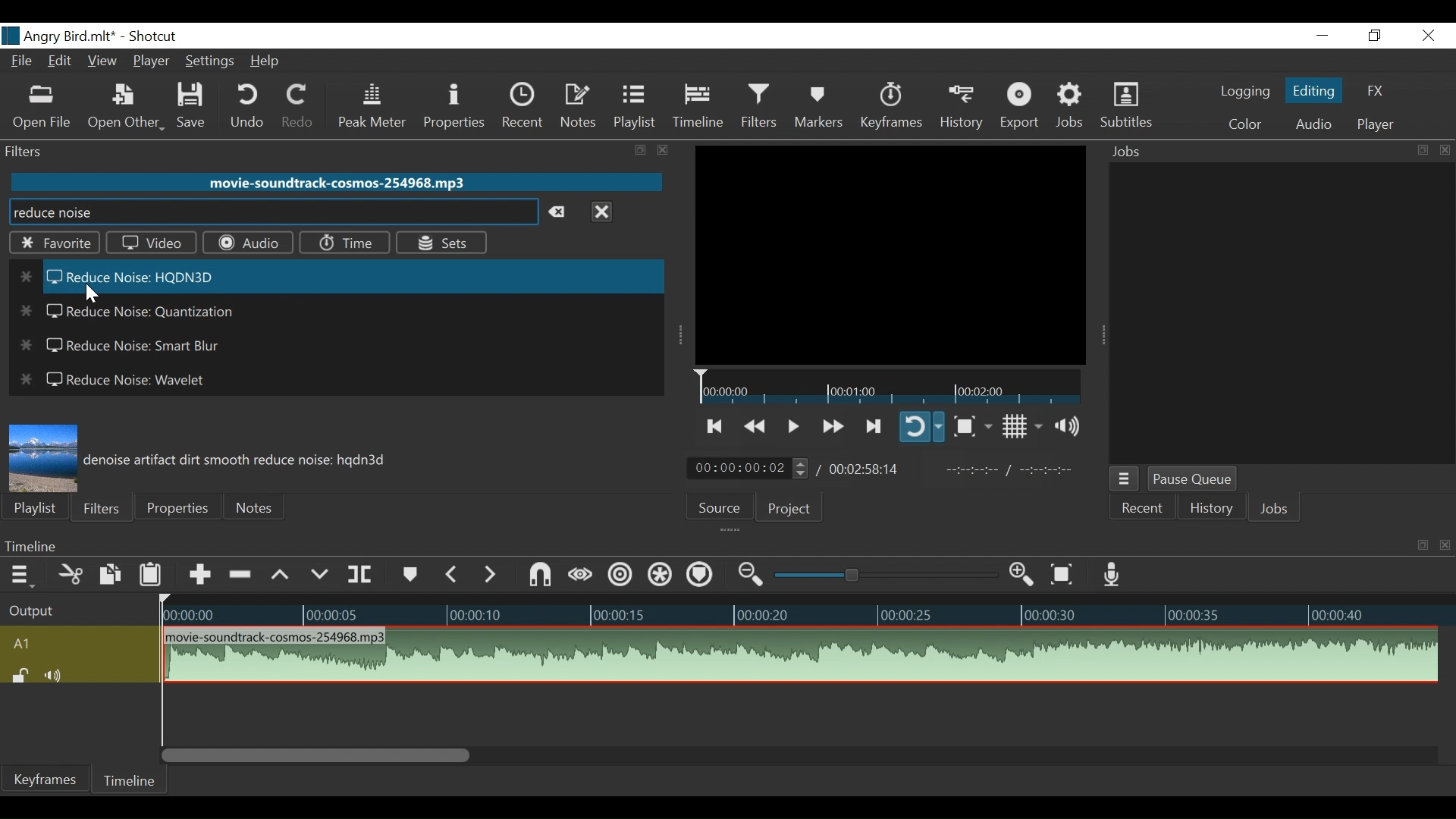 The height and width of the screenshot is (819, 1456). I want to click on File Name, so click(60, 36).